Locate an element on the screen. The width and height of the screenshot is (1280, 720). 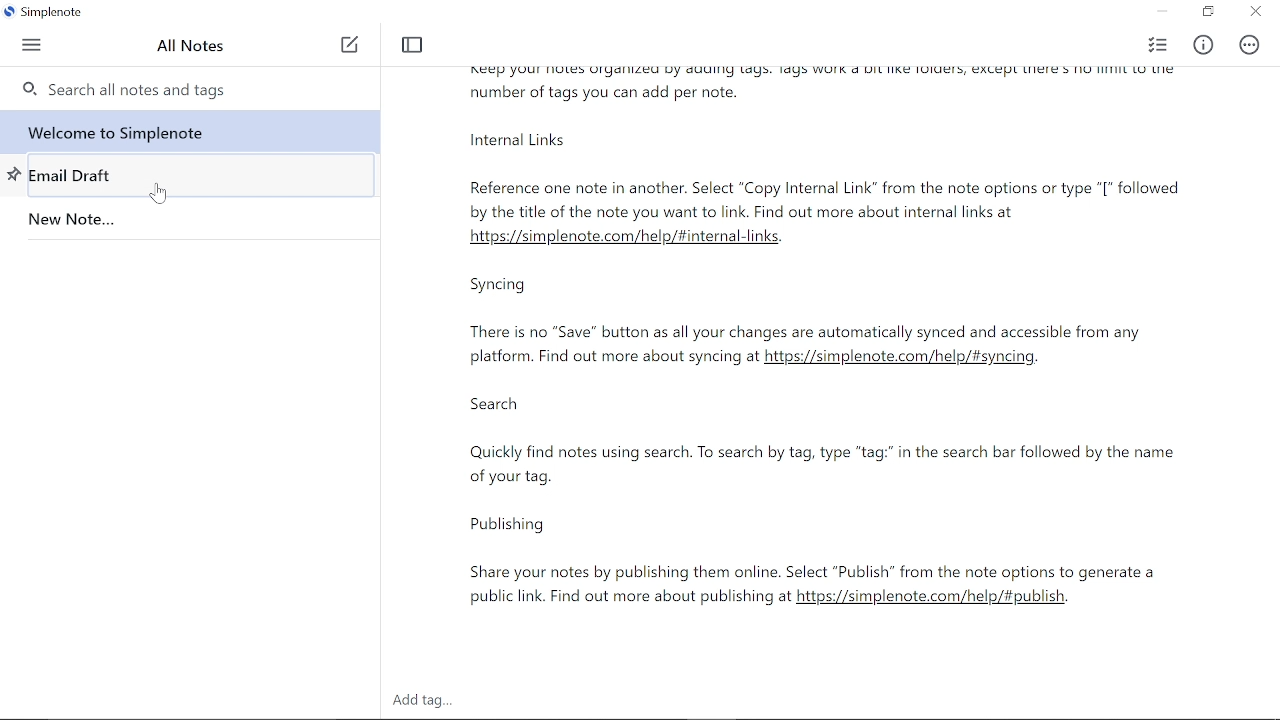
Actions is located at coordinates (1248, 46).